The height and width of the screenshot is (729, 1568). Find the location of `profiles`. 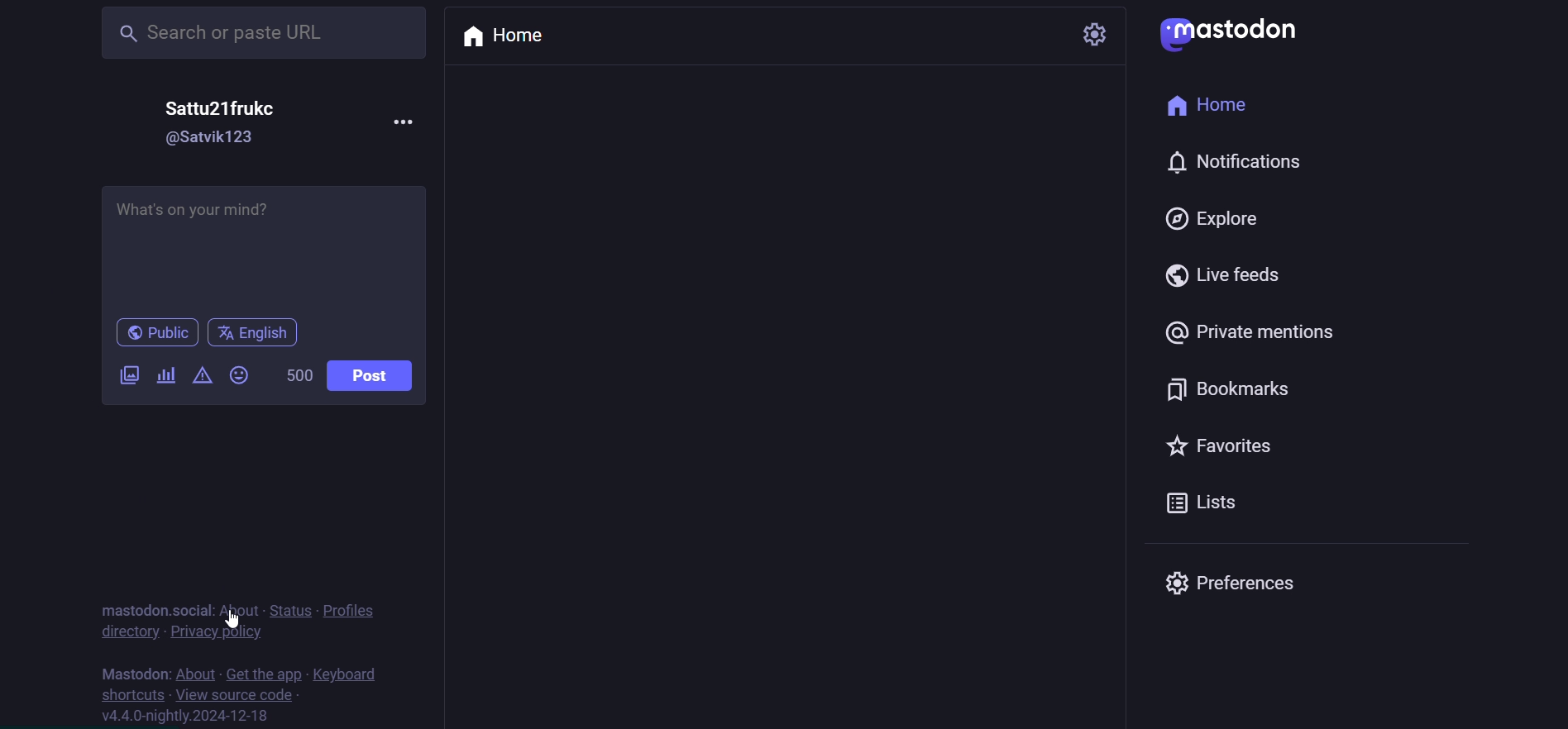

profiles is located at coordinates (353, 608).